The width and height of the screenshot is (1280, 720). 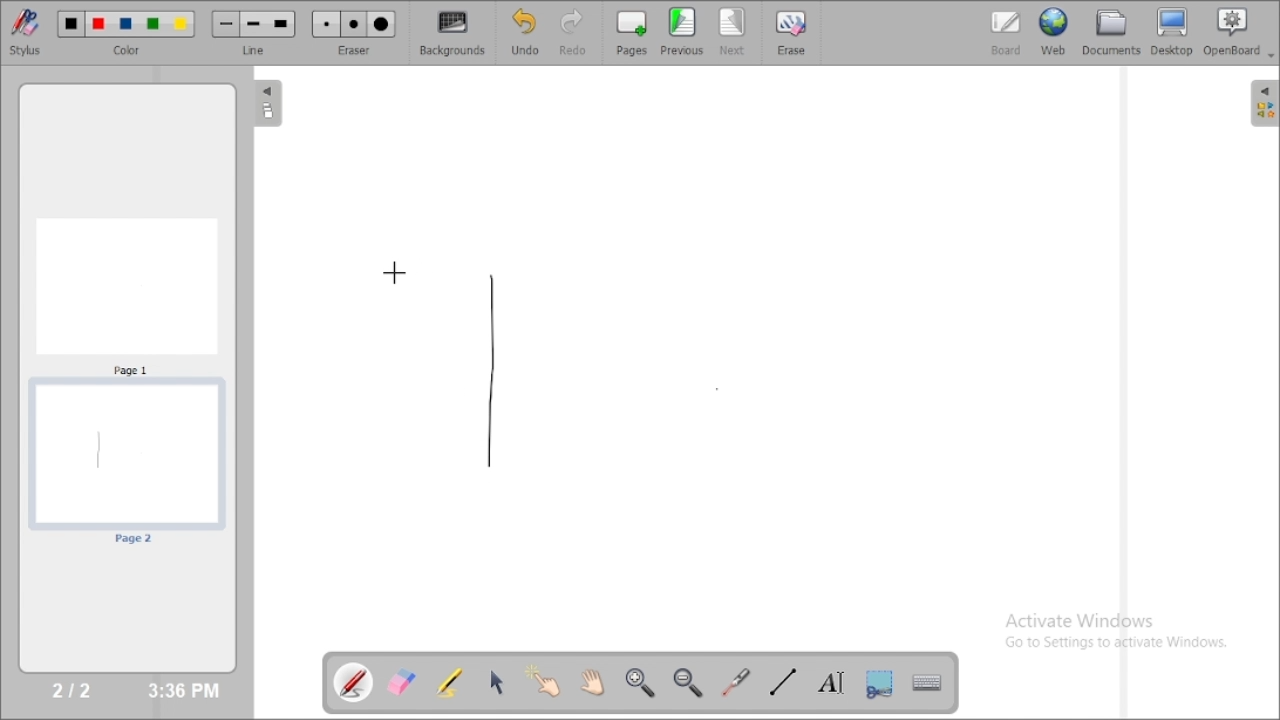 I want to click on Large line, so click(x=282, y=25).